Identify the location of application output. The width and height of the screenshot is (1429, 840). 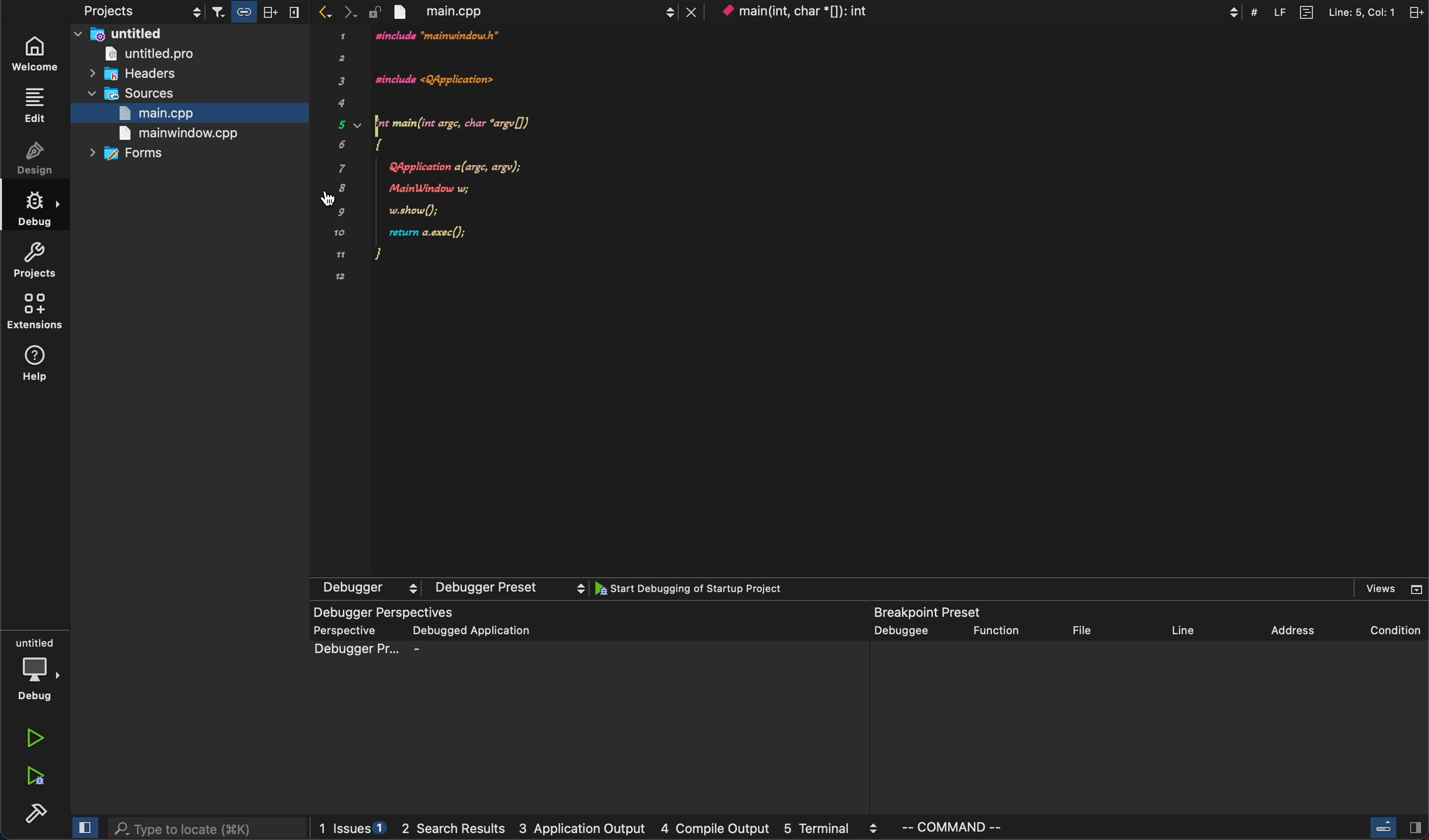
(585, 831).